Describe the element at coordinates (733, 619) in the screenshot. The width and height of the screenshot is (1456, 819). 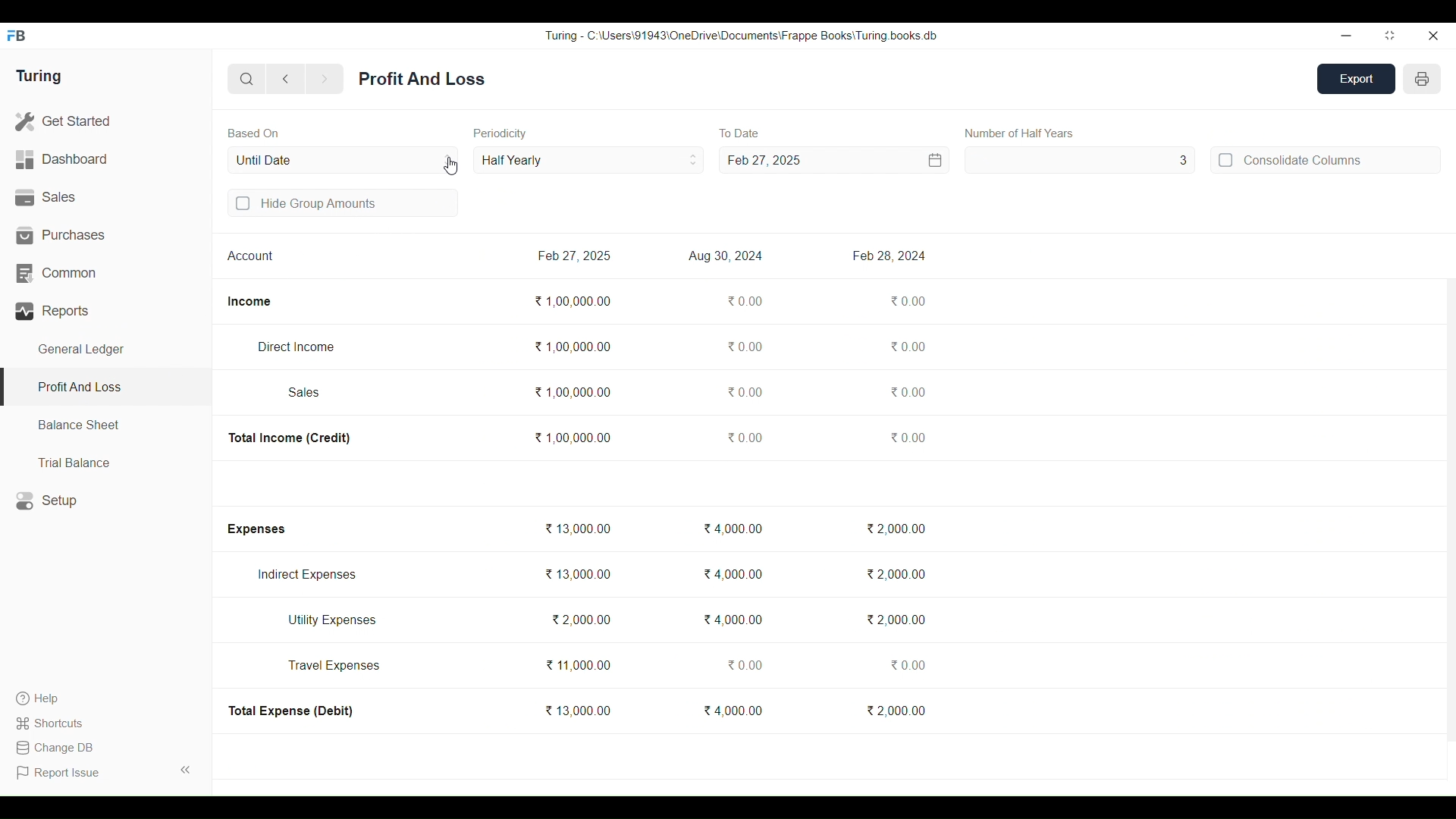
I see `4,000.00` at that location.